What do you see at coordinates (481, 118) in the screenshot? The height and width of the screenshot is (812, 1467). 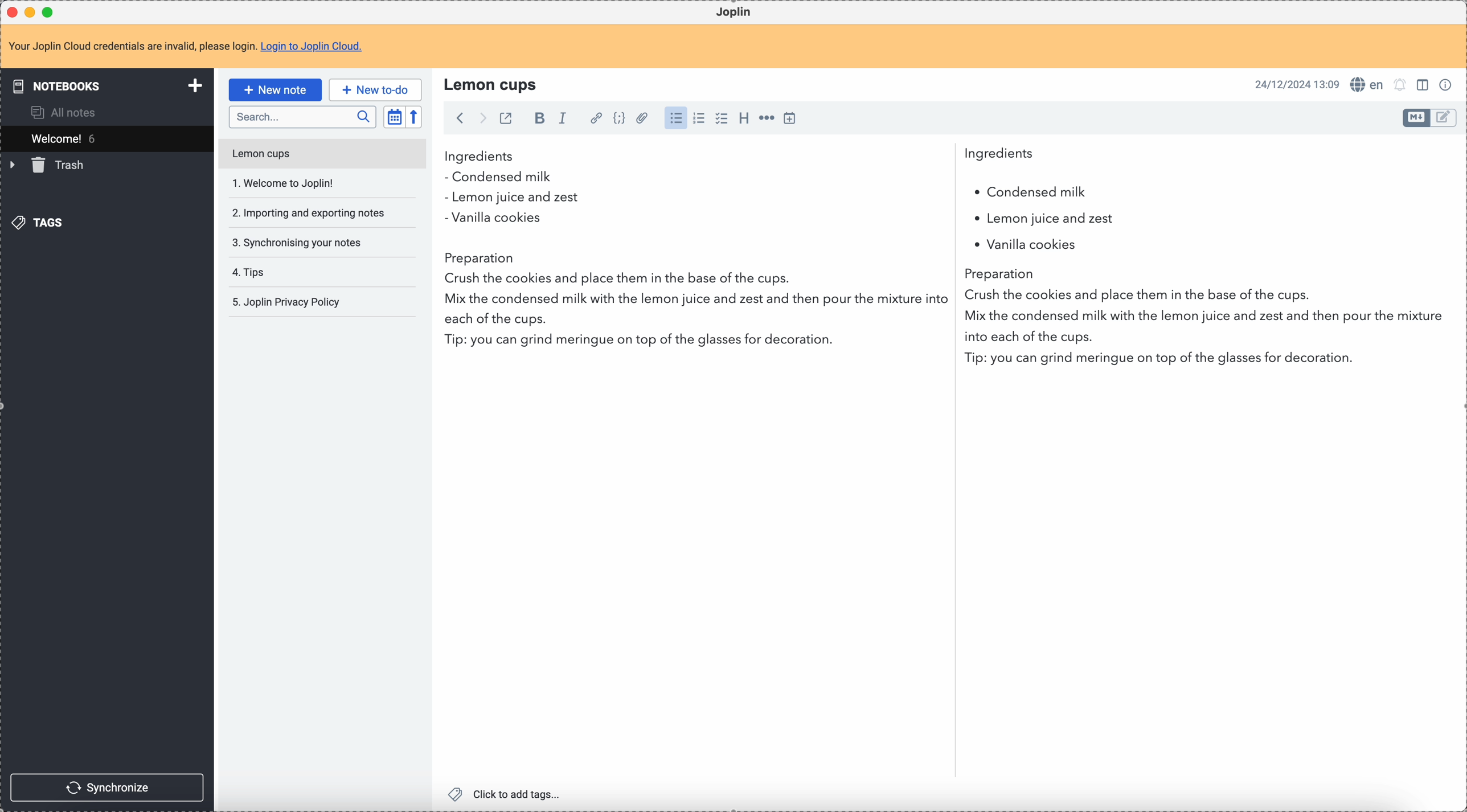 I see `foward` at bounding box center [481, 118].